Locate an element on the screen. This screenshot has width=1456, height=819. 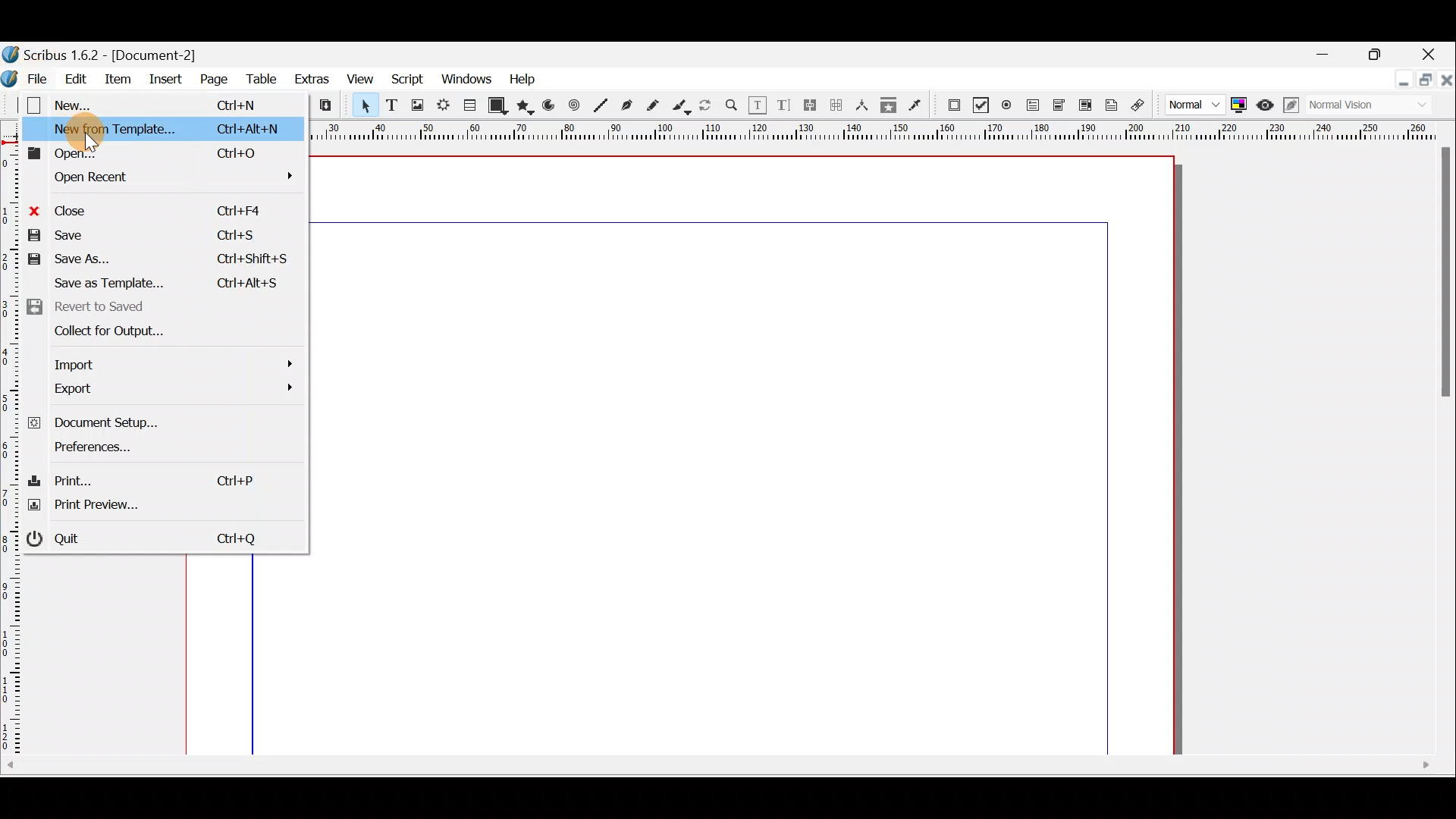
Maximise is located at coordinates (1385, 54).